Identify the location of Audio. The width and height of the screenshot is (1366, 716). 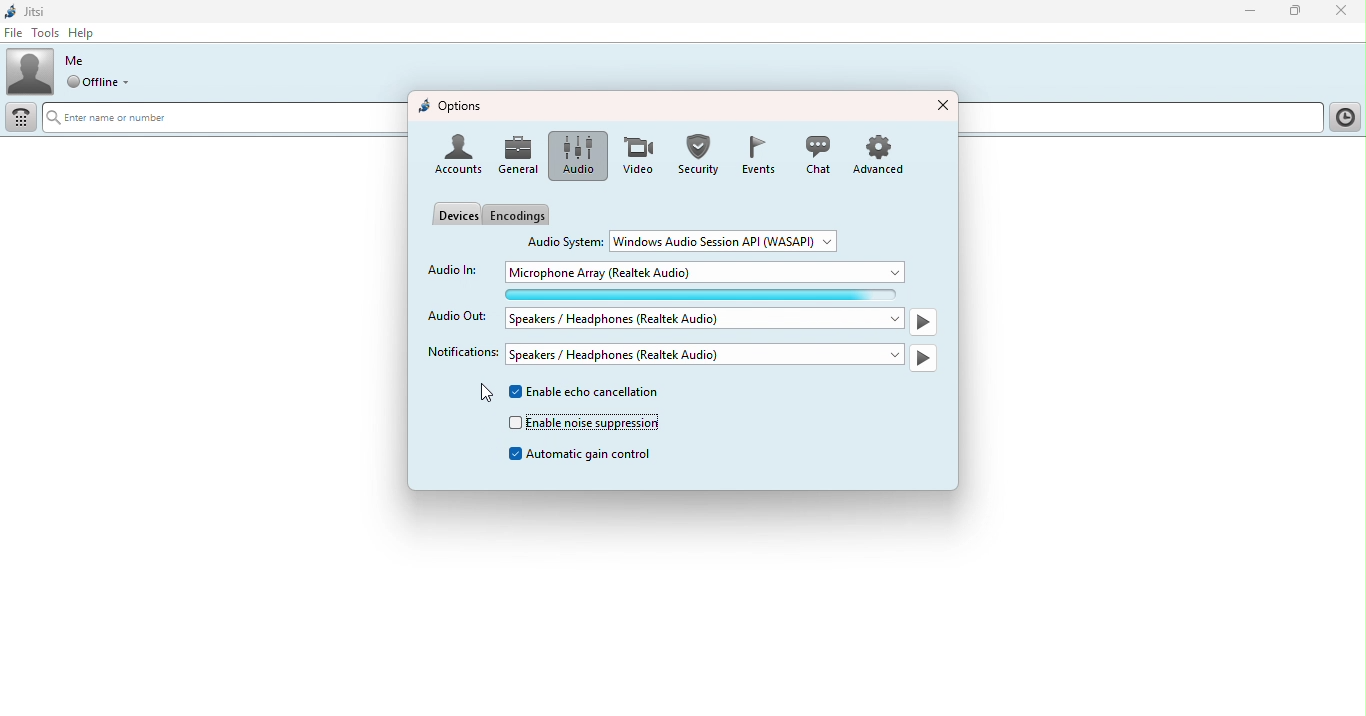
(574, 156).